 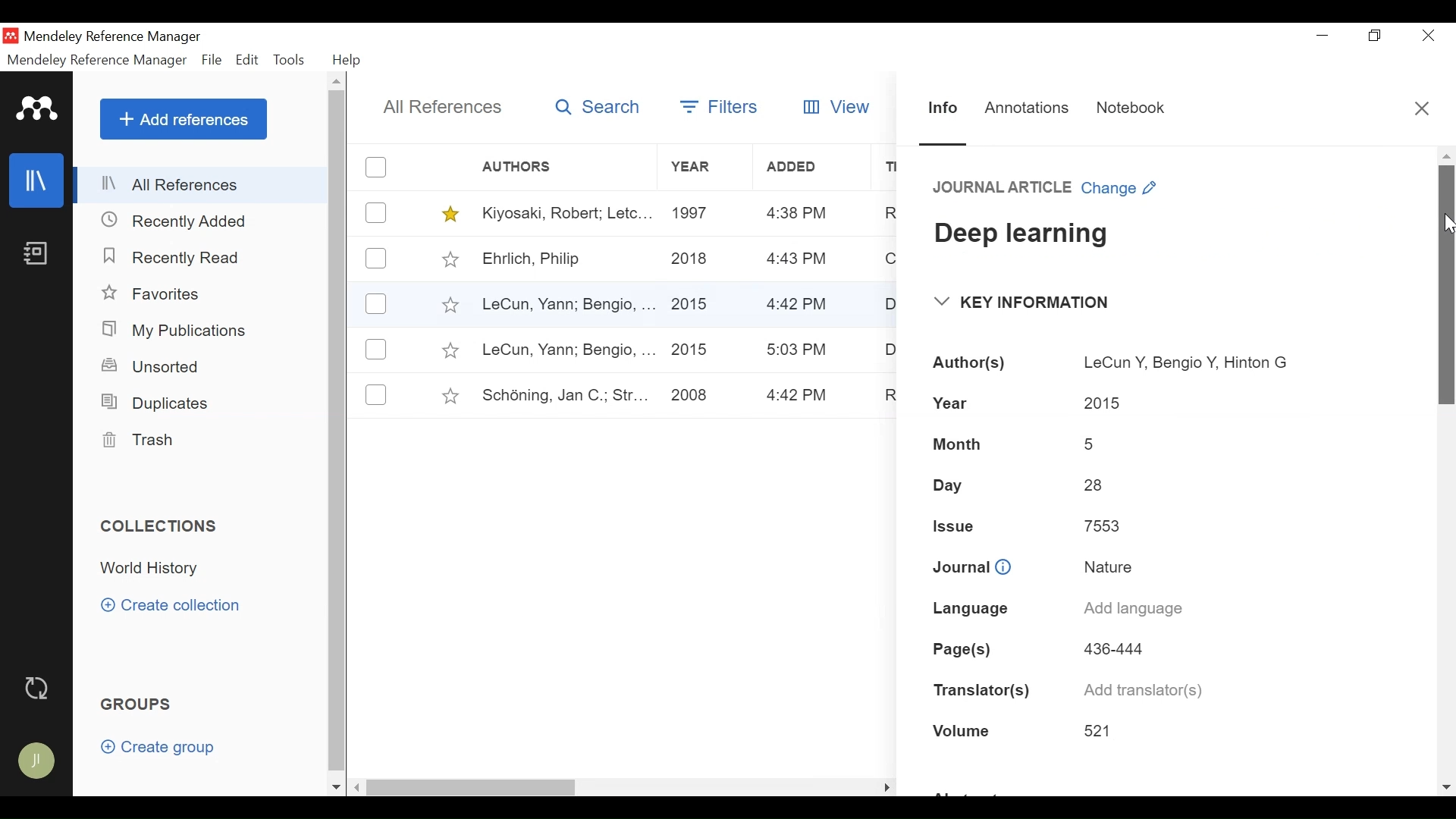 What do you see at coordinates (444, 107) in the screenshot?
I see `All References` at bounding box center [444, 107].